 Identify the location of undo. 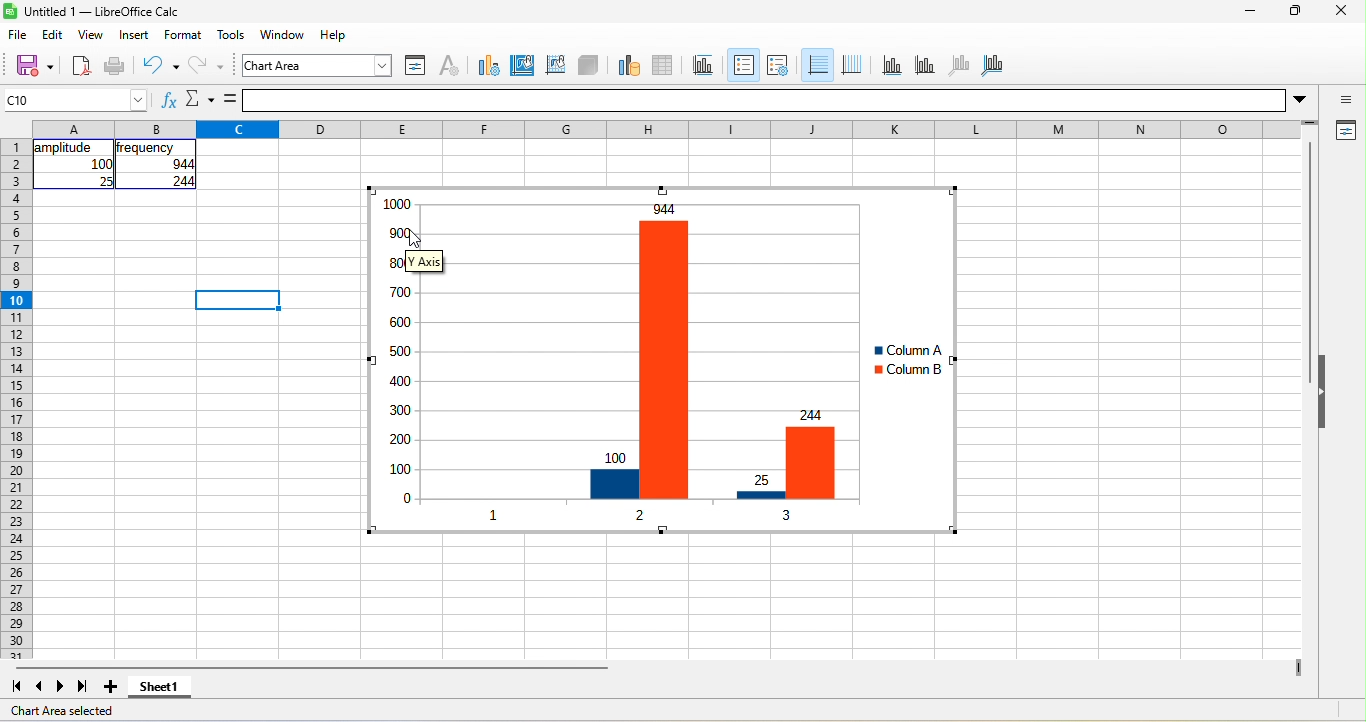
(160, 65).